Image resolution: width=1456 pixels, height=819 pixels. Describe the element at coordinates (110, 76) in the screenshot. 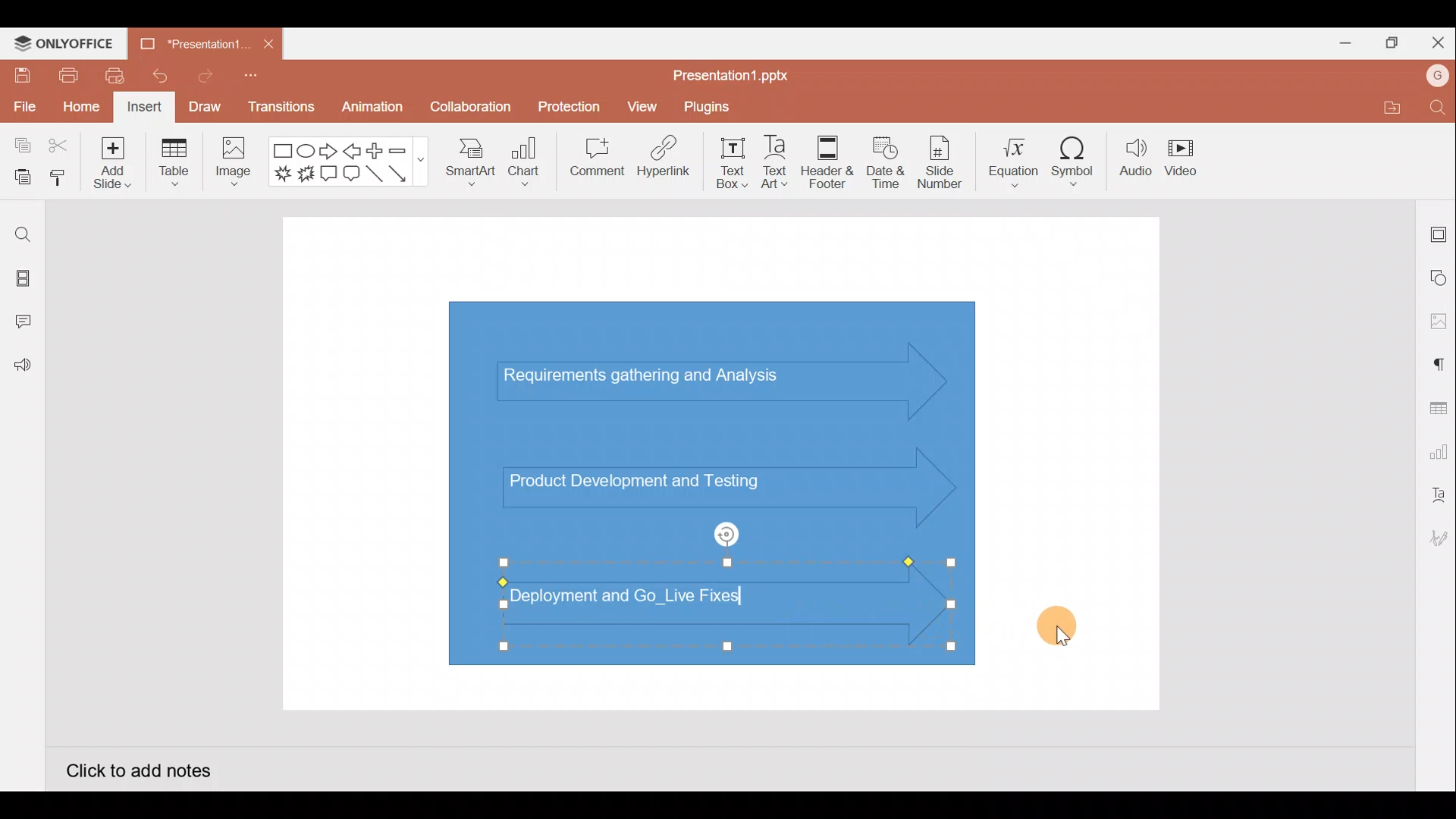

I see `Quick print` at that location.